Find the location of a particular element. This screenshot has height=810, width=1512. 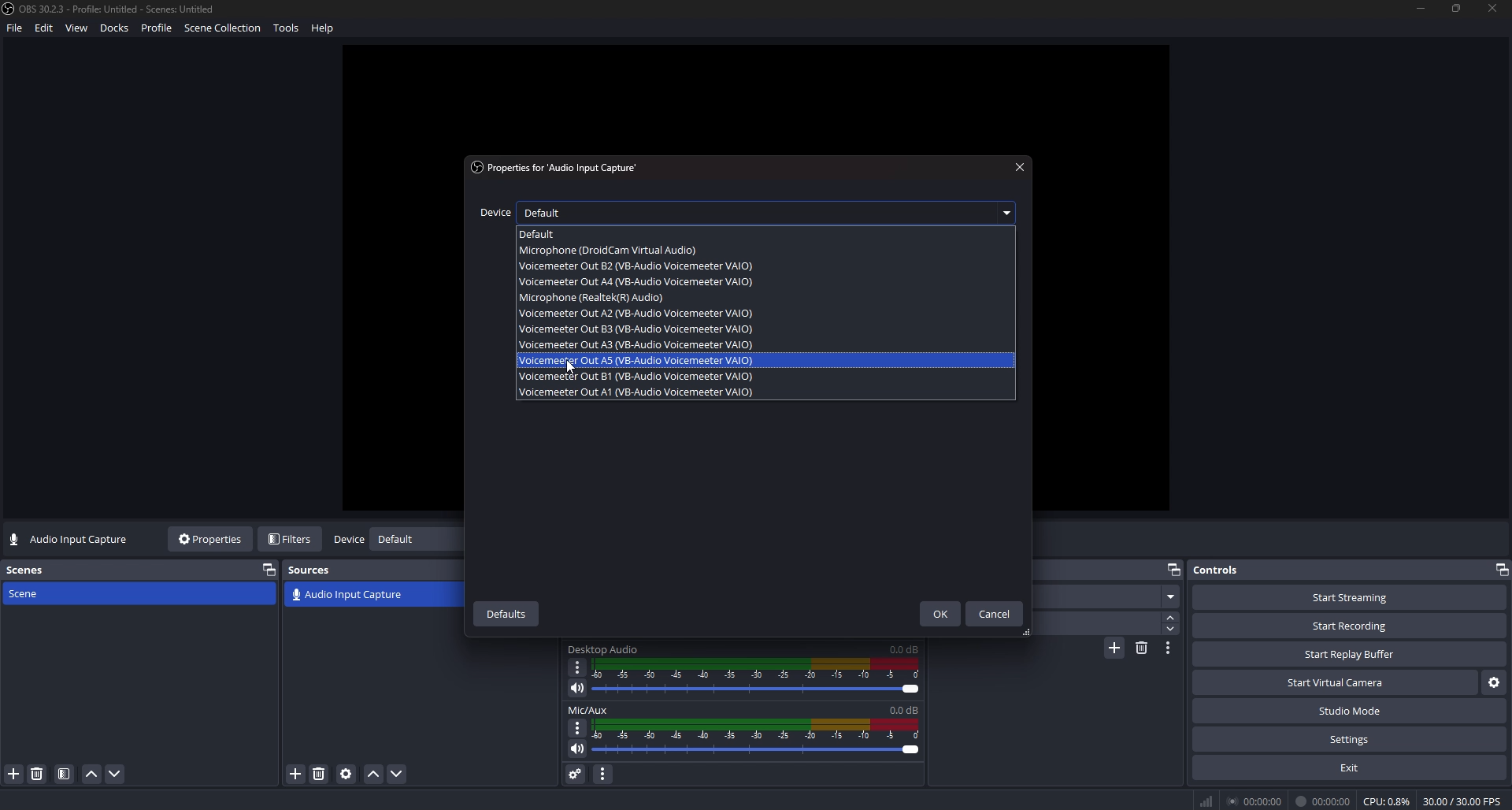

settings is located at coordinates (1492, 684).